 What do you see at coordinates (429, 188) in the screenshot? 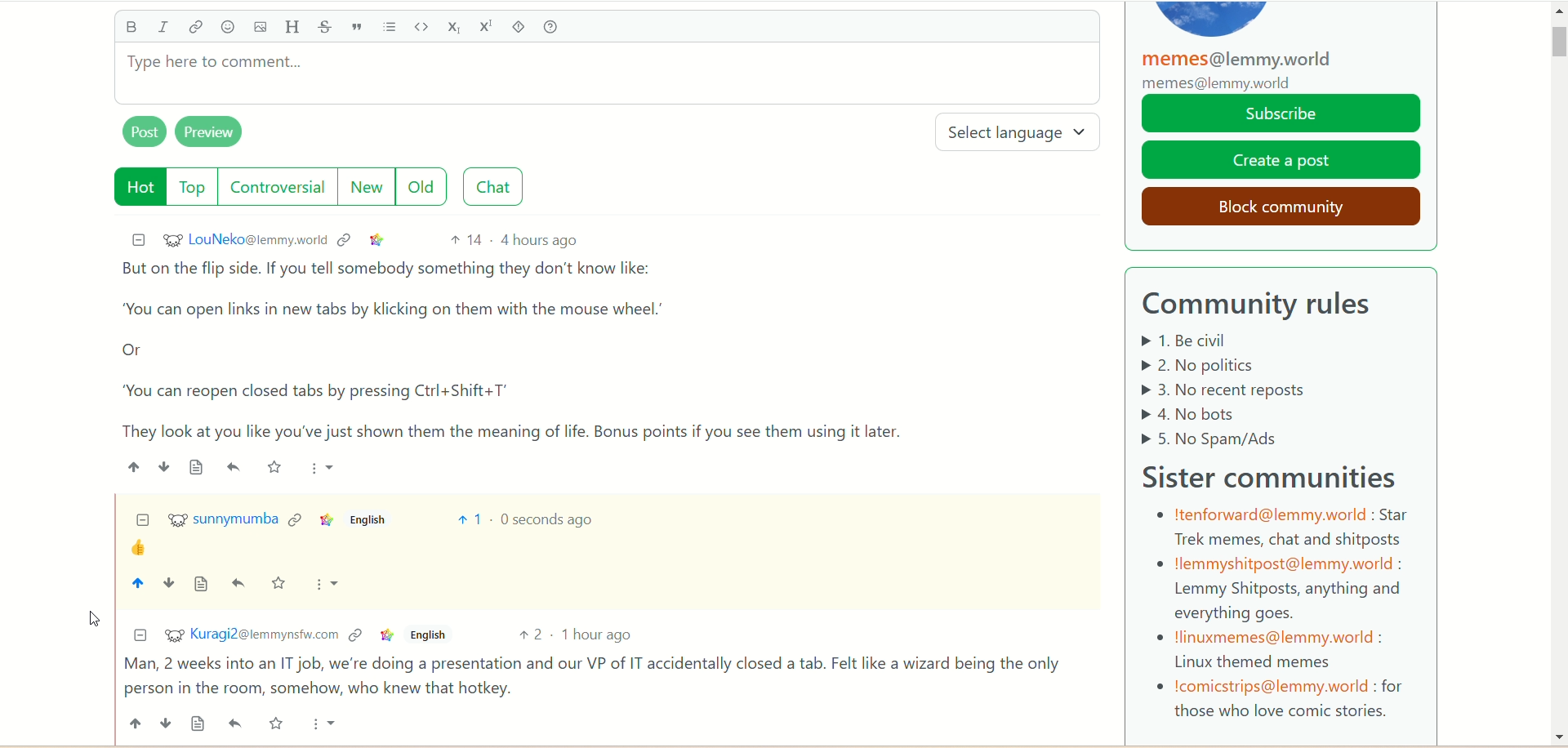
I see `old` at bounding box center [429, 188].